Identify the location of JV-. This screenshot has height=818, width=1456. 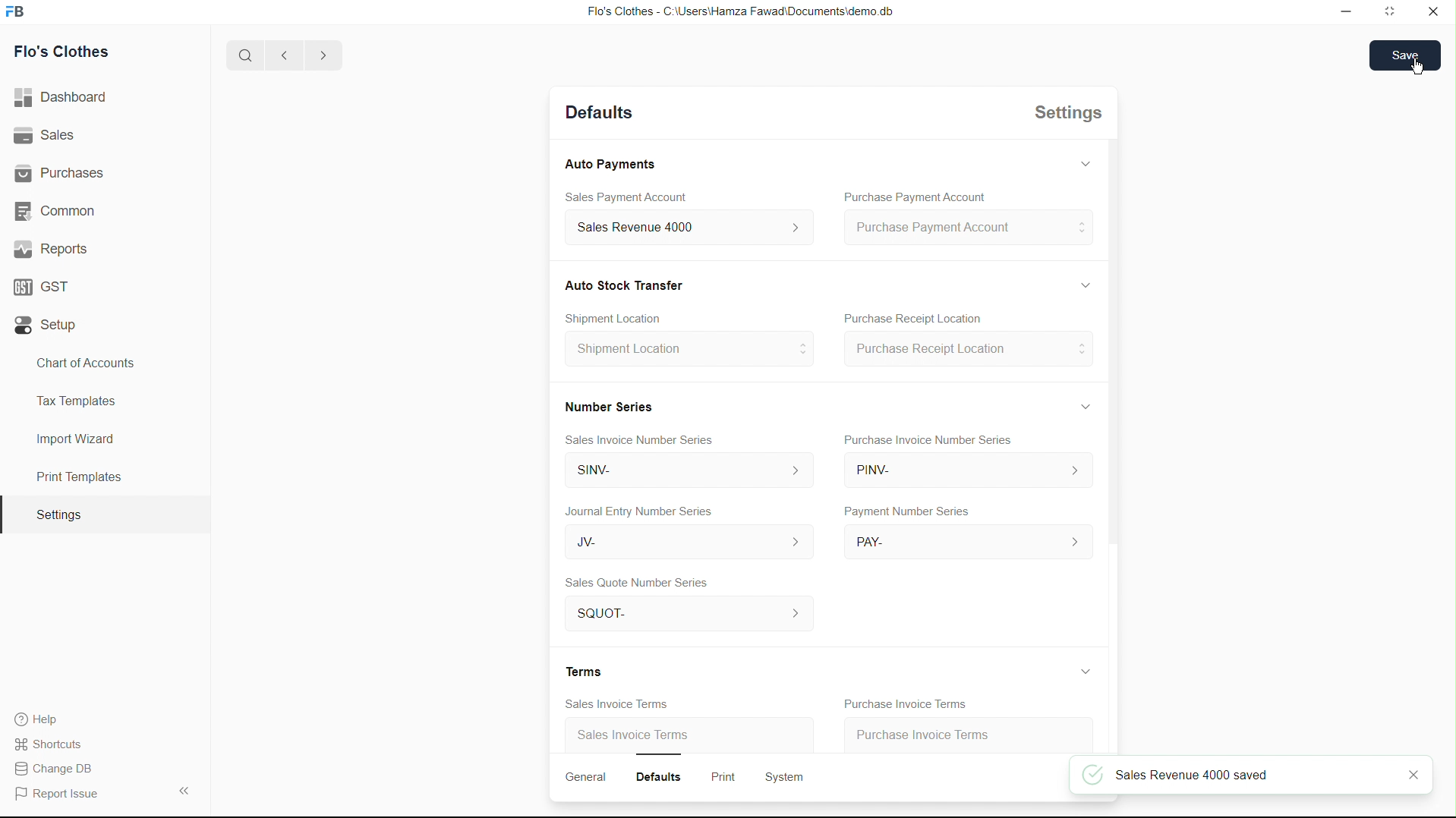
(689, 543).